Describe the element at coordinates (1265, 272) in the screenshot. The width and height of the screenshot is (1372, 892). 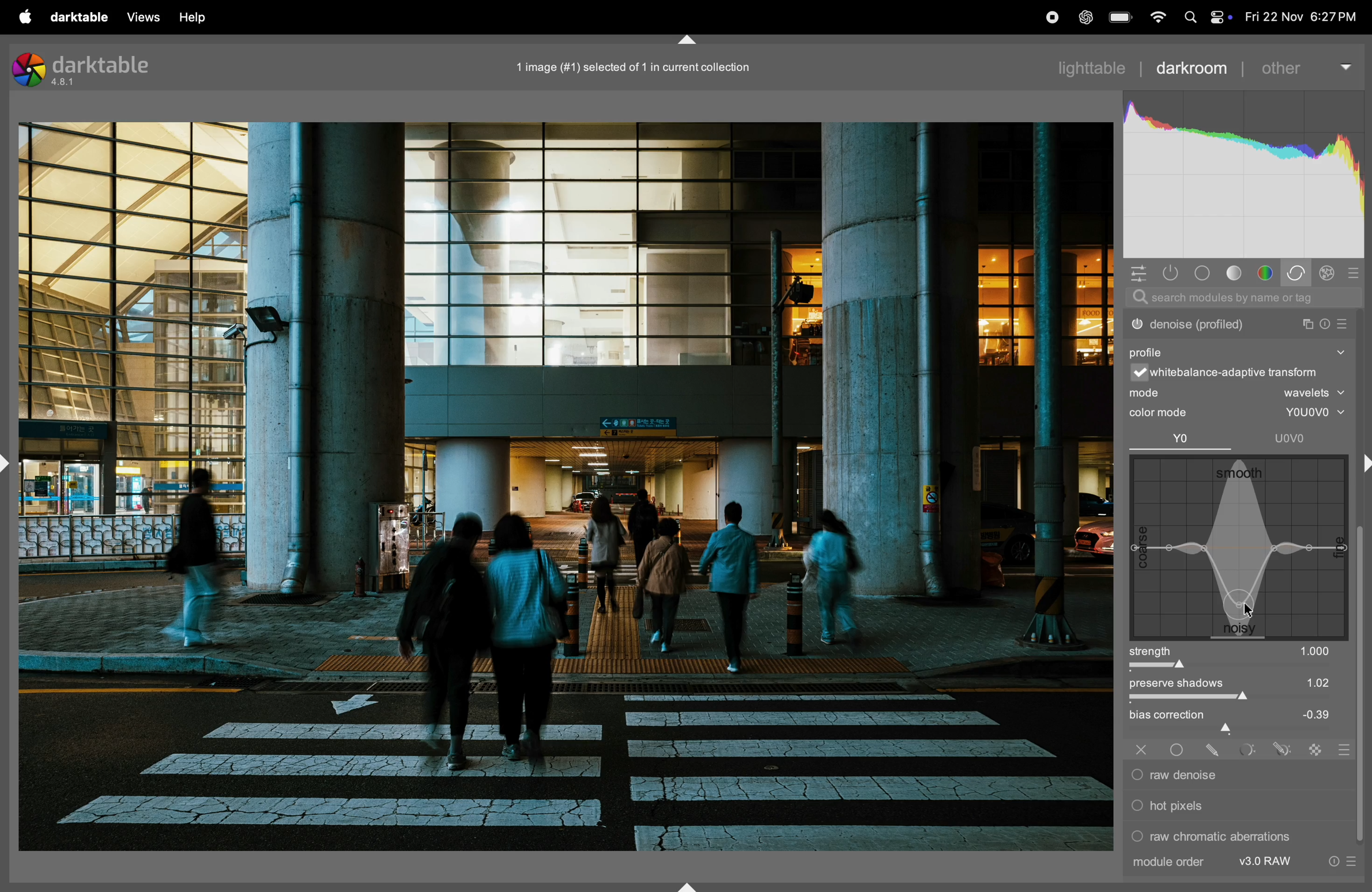
I see `color` at that location.